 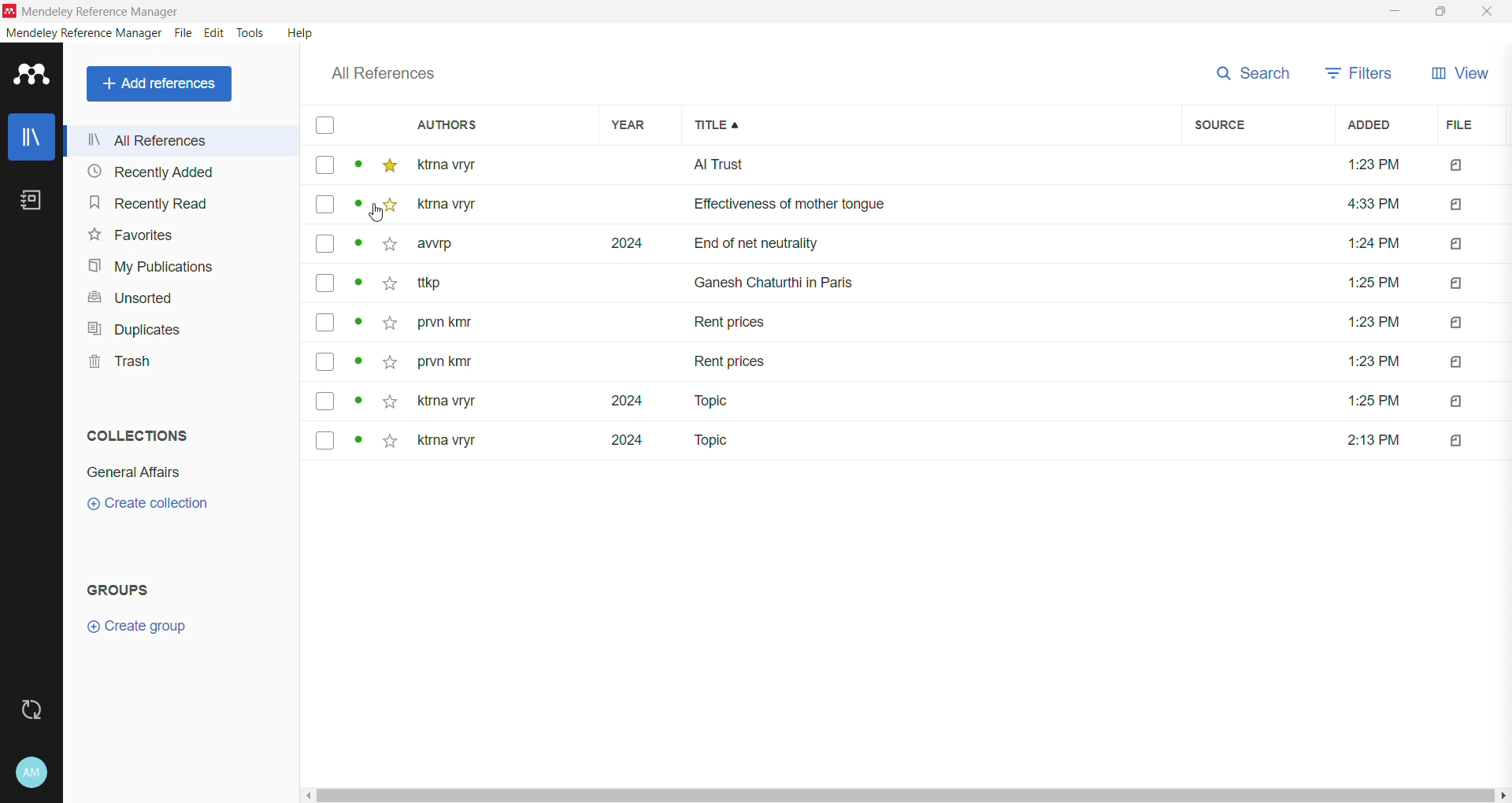 What do you see at coordinates (1451, 166) in the screenshot?
I see `` at bounding box center [1451, 166].